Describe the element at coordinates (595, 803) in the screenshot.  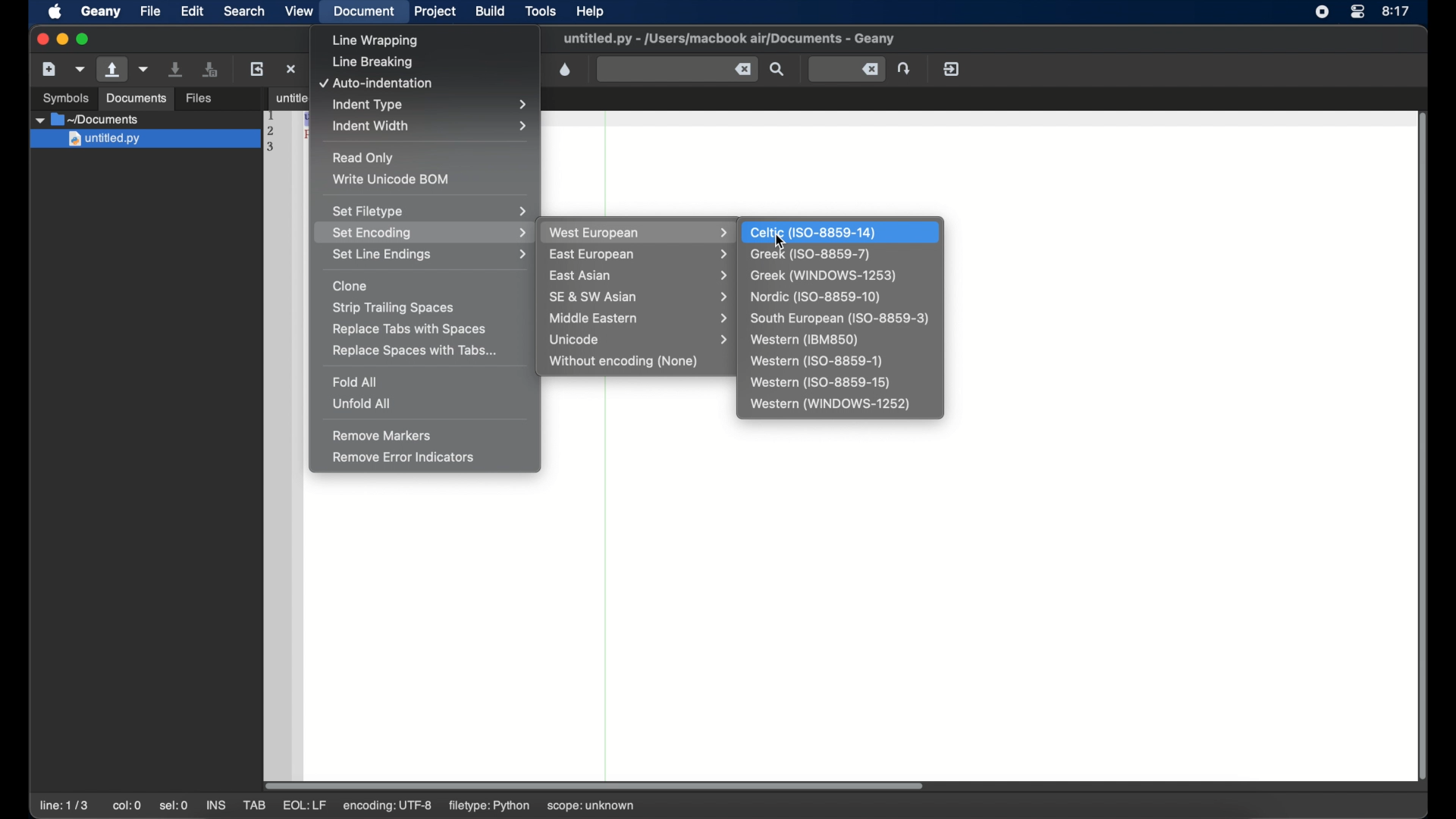
I see `scope: unknown` at that location.